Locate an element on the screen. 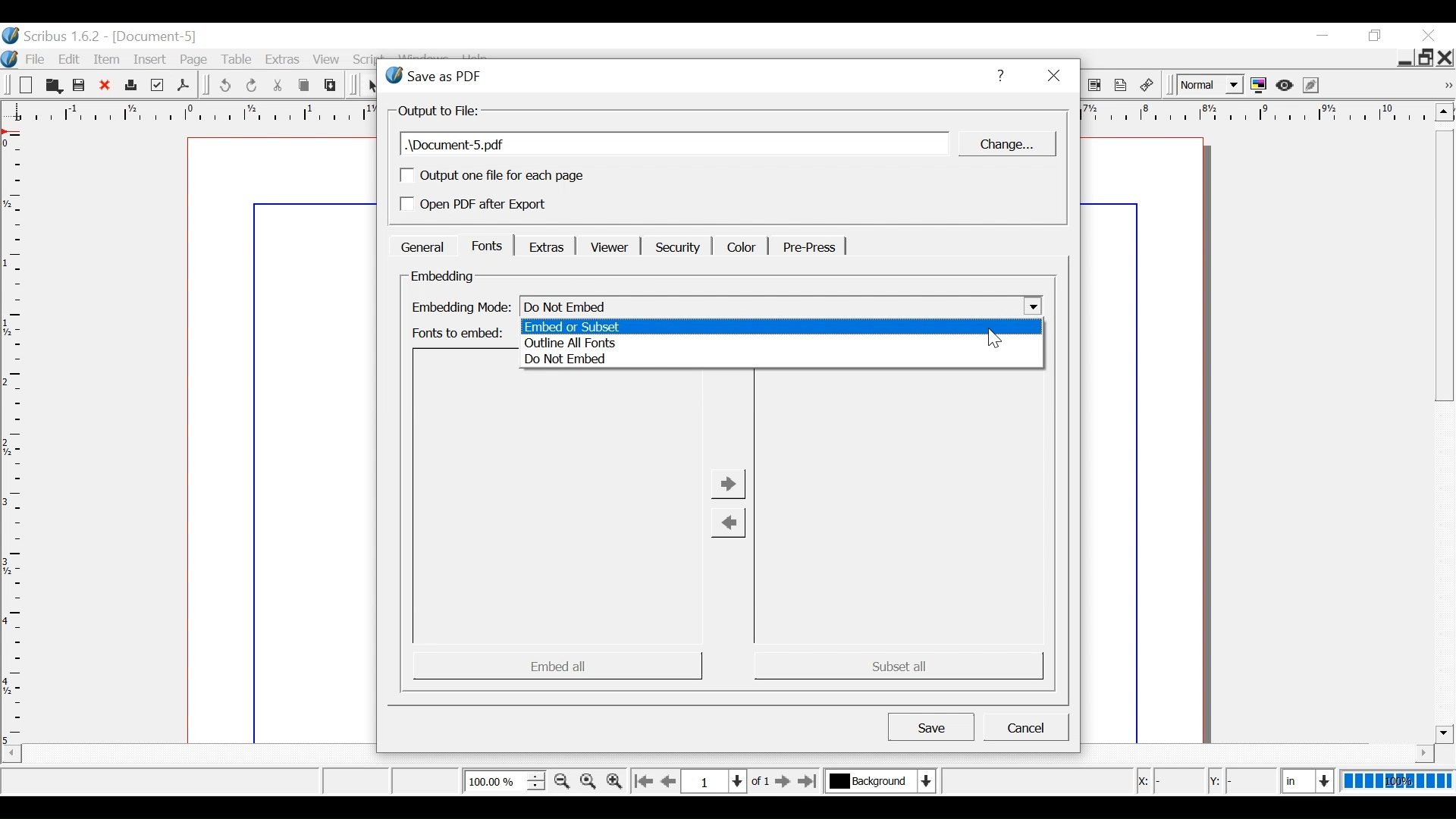 This screenshot has height=819, width=1456. X Coordinate is located at coordinates (1168, 781).